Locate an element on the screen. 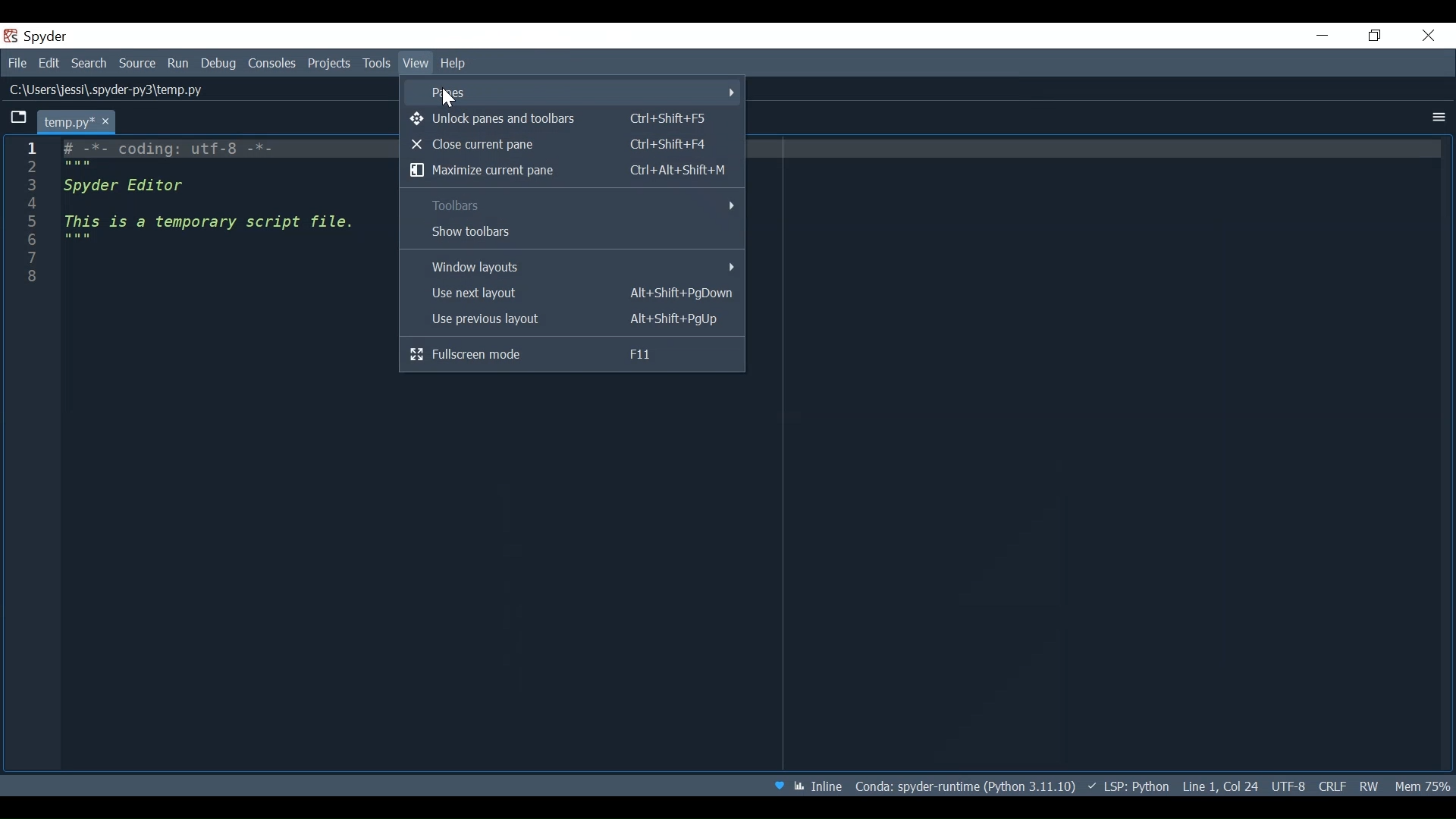  Help Spyder is located at coordinates (780, 786).